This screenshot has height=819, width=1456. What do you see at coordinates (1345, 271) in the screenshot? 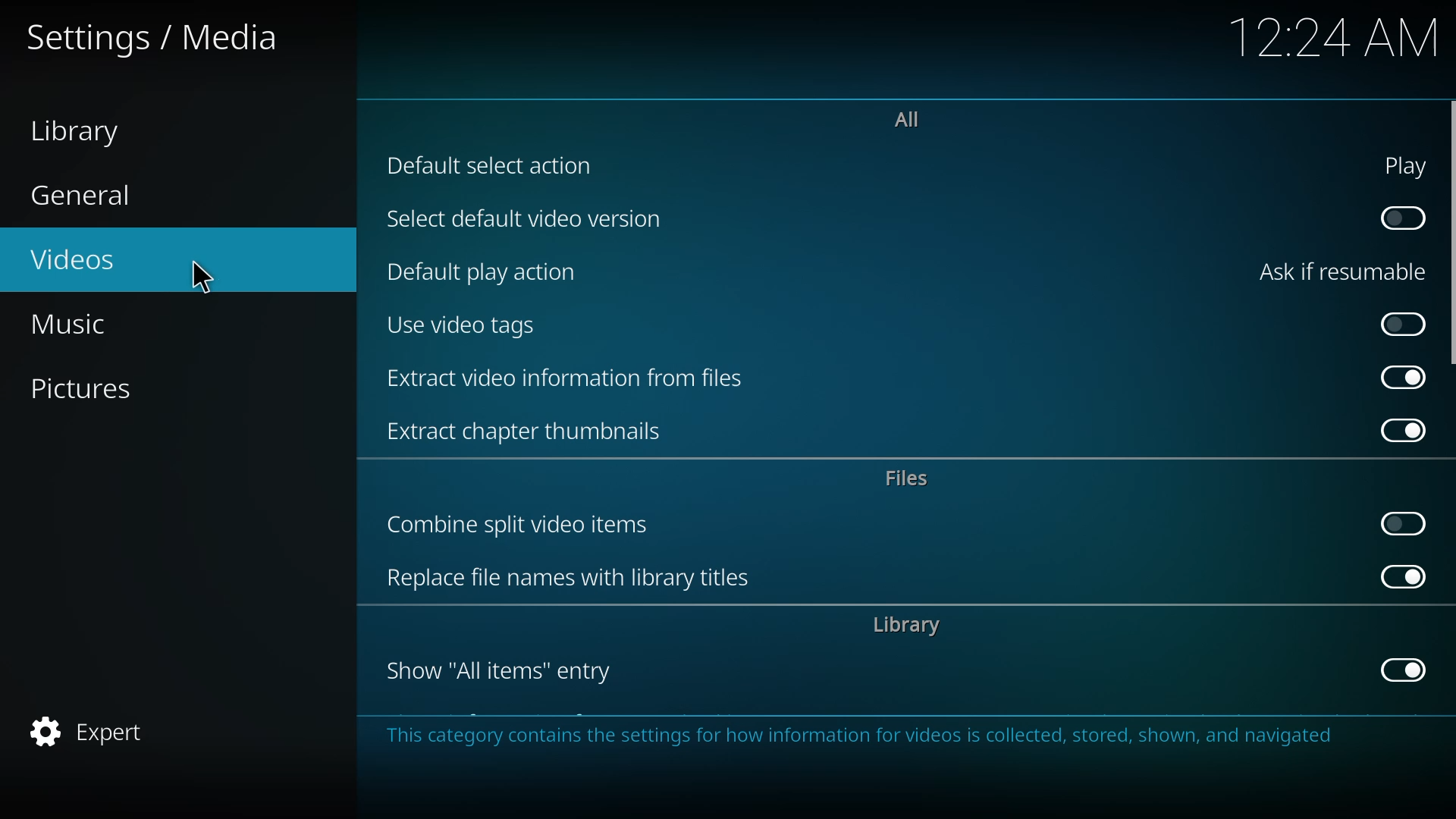
I see `ask if resumable` at bounding box center [1345, 271].